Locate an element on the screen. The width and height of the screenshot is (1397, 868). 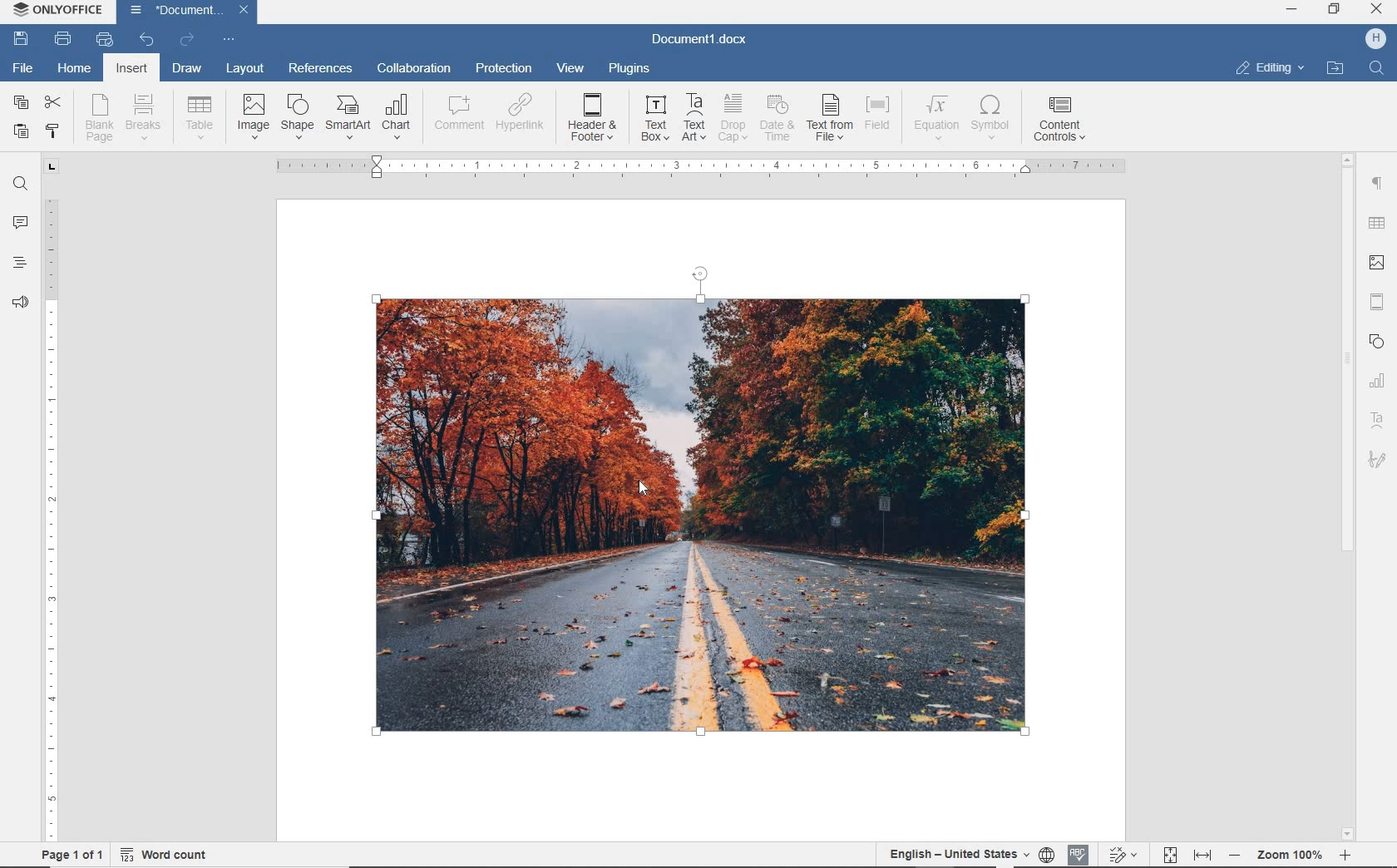
header&footer is located at coordinates (590, 118).